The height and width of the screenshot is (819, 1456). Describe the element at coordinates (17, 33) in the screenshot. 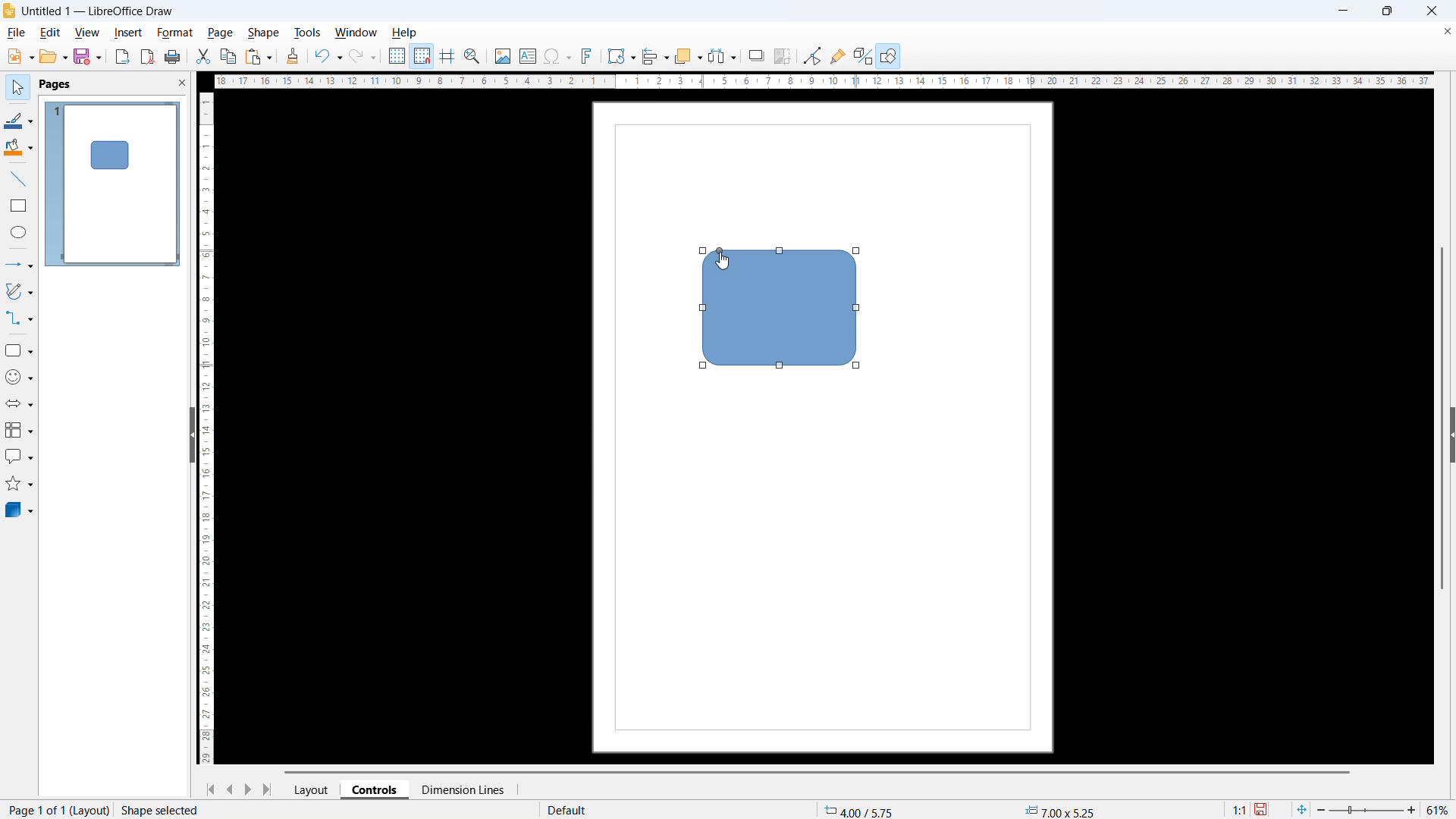

I see `File ` at that location.